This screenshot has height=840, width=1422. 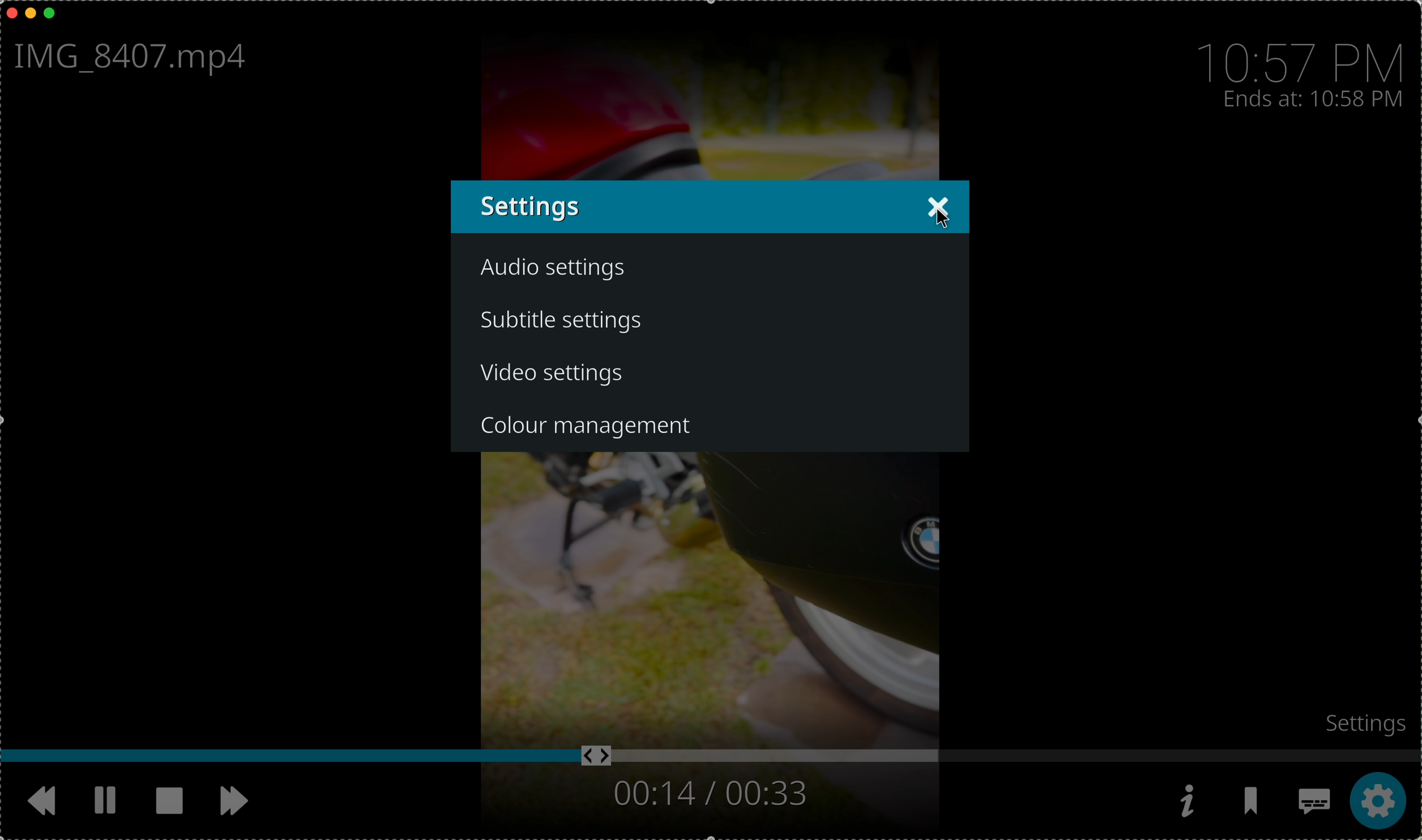 I want to click on video, so click(x=715, y=94).